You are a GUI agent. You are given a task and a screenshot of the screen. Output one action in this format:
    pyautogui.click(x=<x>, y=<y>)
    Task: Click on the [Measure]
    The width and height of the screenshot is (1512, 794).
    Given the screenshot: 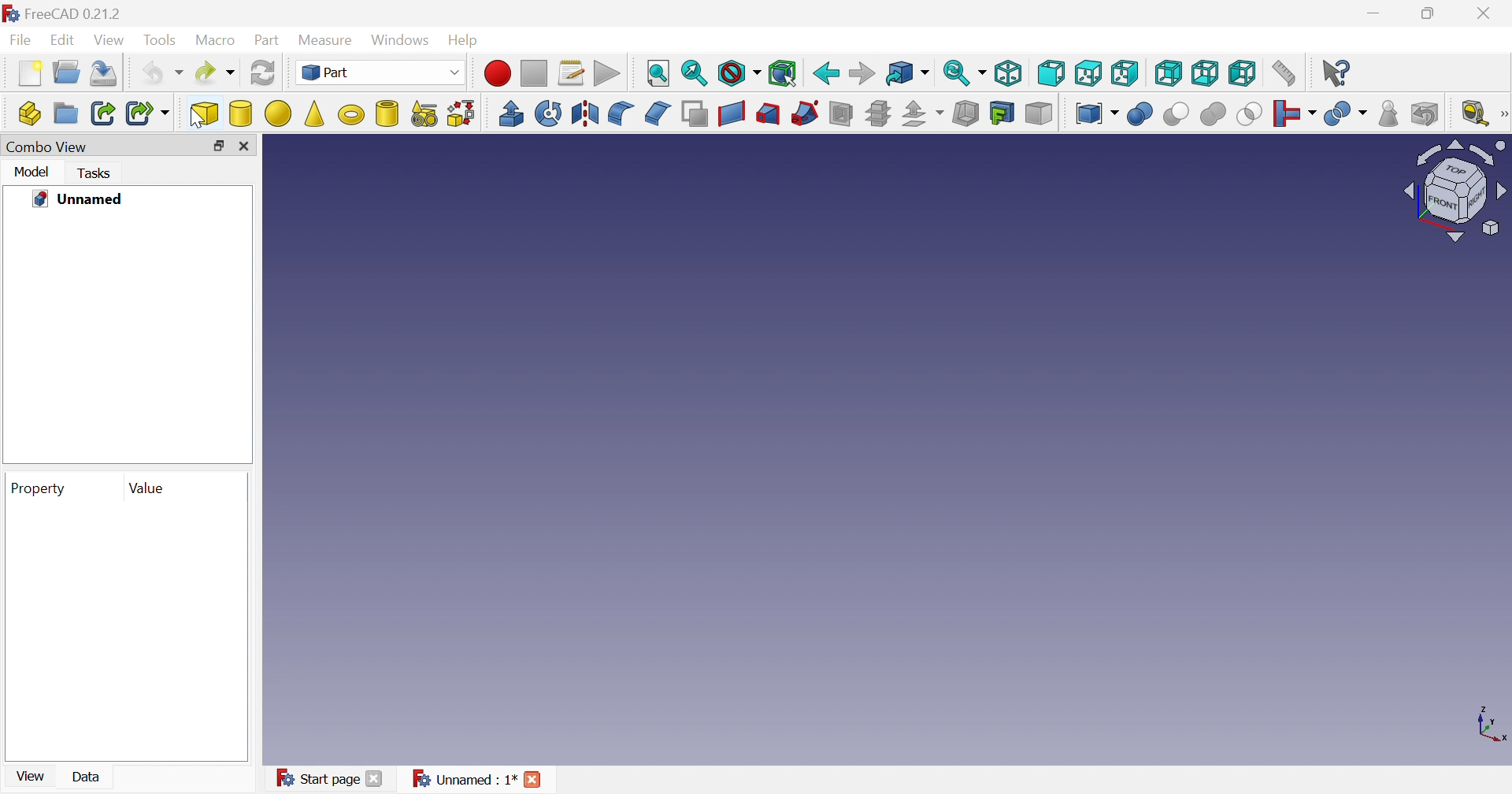 What is the action you would take?
    pyautogui.click(x=1503, y=114)
    